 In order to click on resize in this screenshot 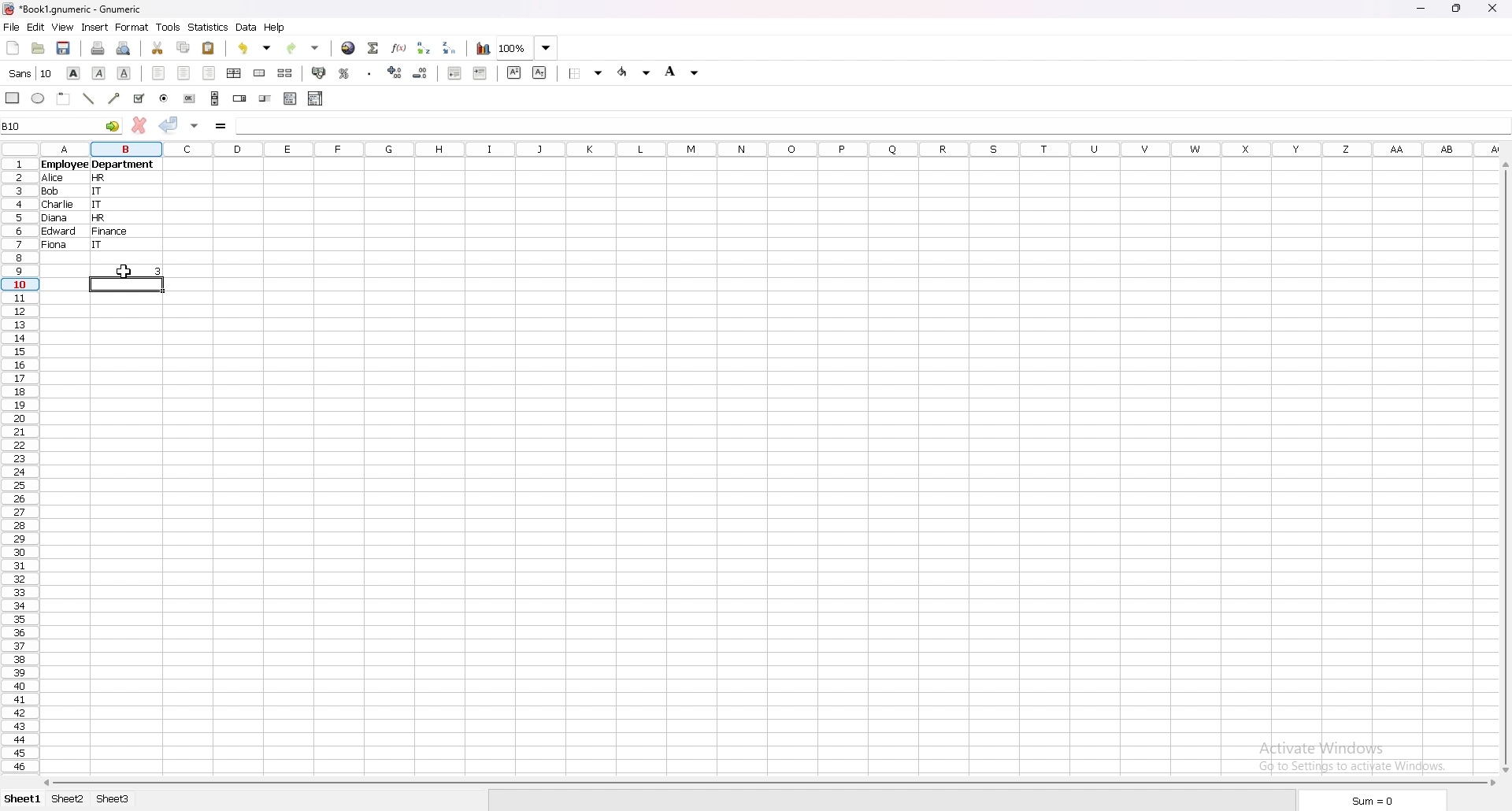, I will do `click(1458, 8)`.